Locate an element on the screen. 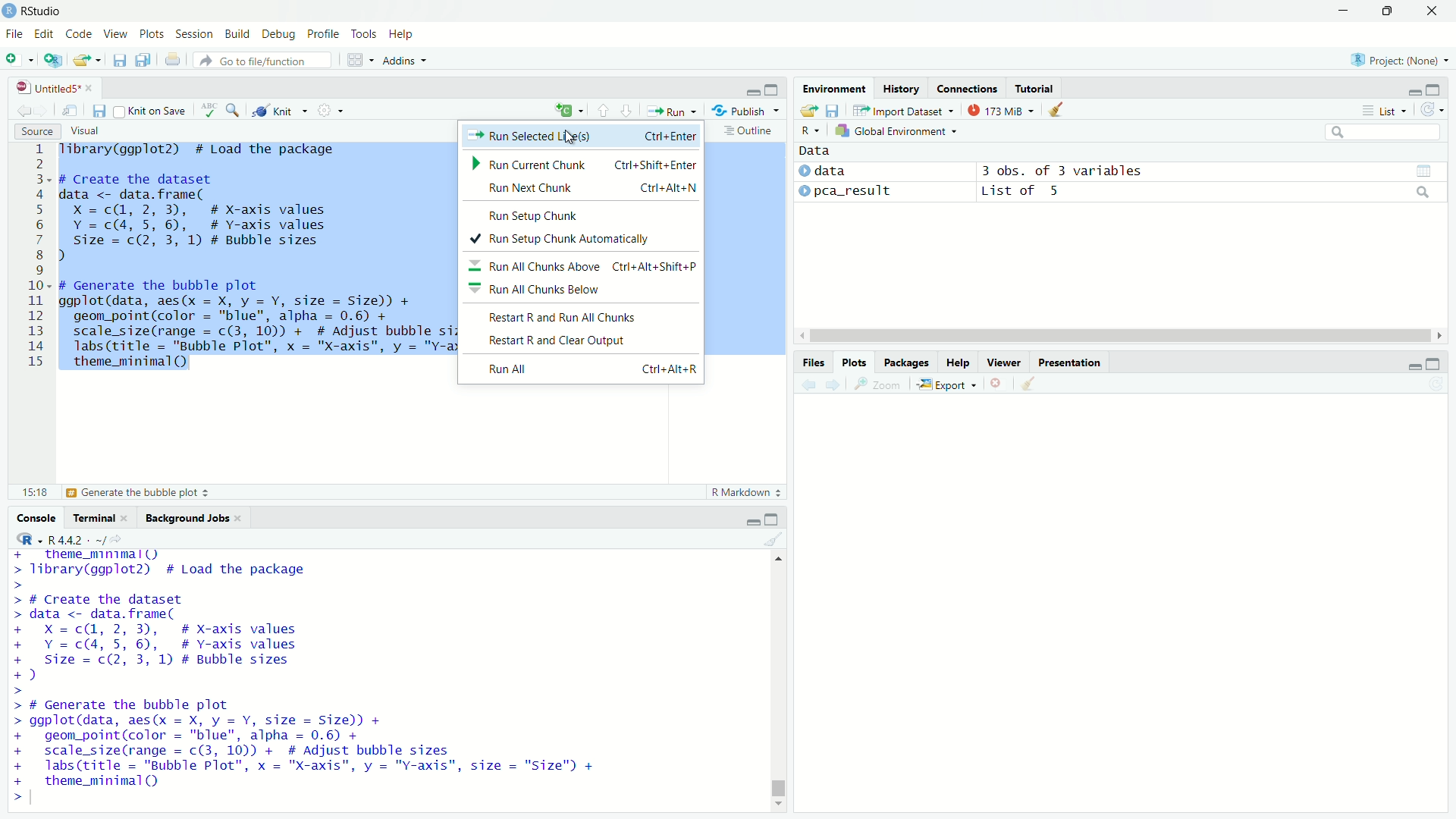 This screenshot has height=819, width=1456. print current file is located at coordinates (173, 59).